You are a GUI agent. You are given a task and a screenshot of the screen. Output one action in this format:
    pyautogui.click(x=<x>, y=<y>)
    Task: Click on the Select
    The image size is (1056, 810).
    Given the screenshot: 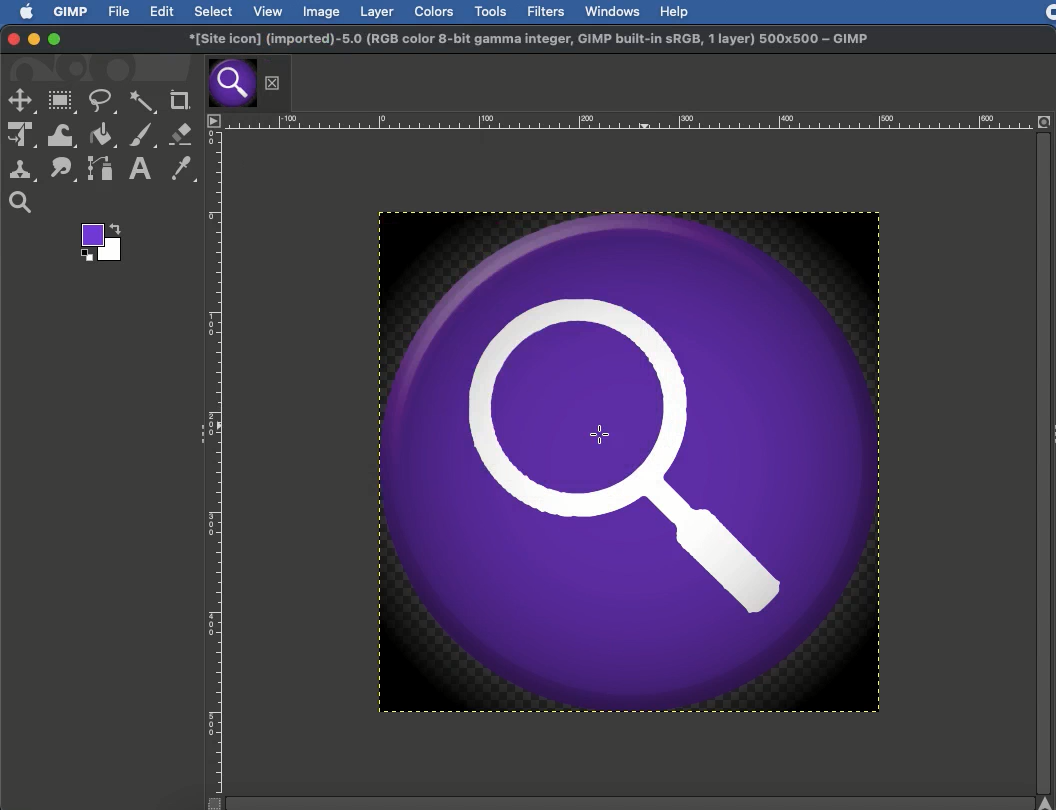 What is the action you would take?
    pyautogui.click(x=212, y=11)
    